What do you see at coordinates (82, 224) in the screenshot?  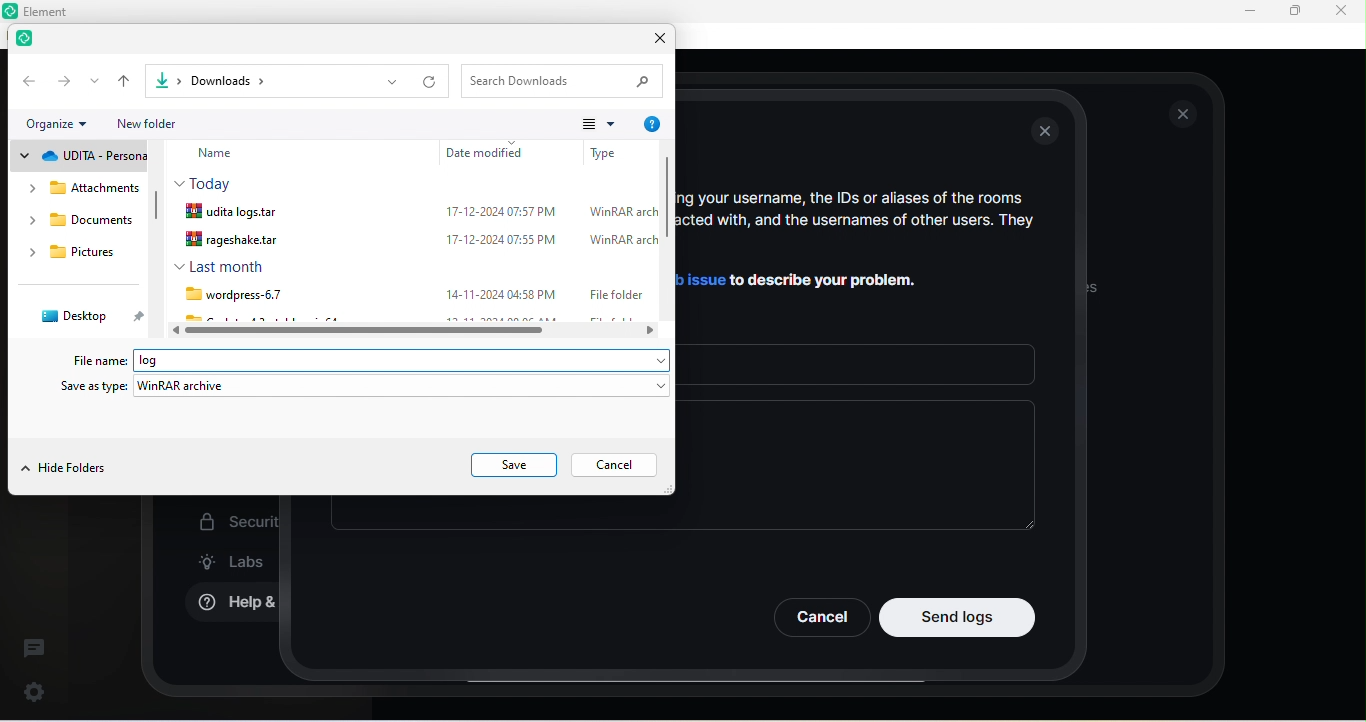 I see `downloads` at bounding box center [82, 224].